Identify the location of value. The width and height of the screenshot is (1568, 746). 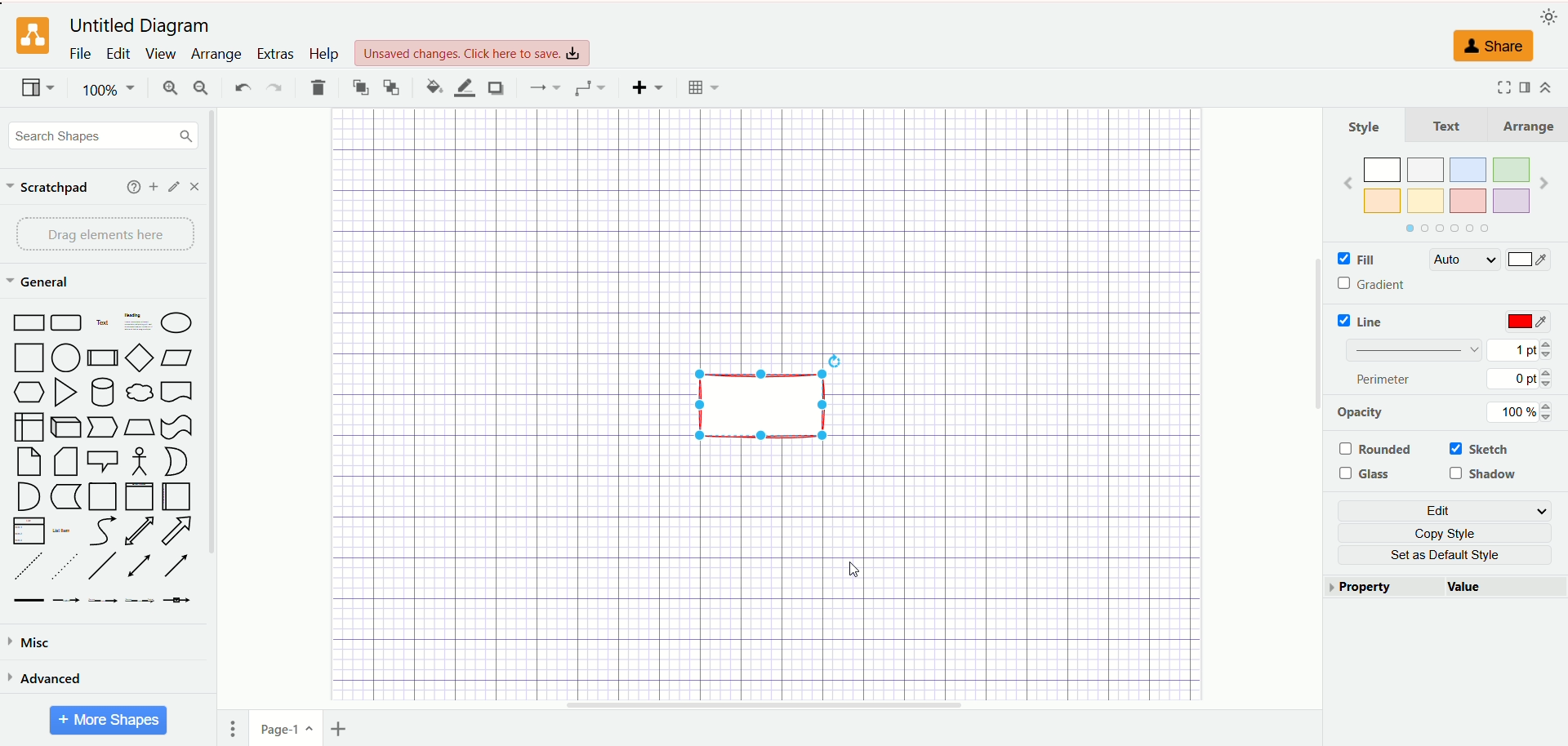
(1503, 588).